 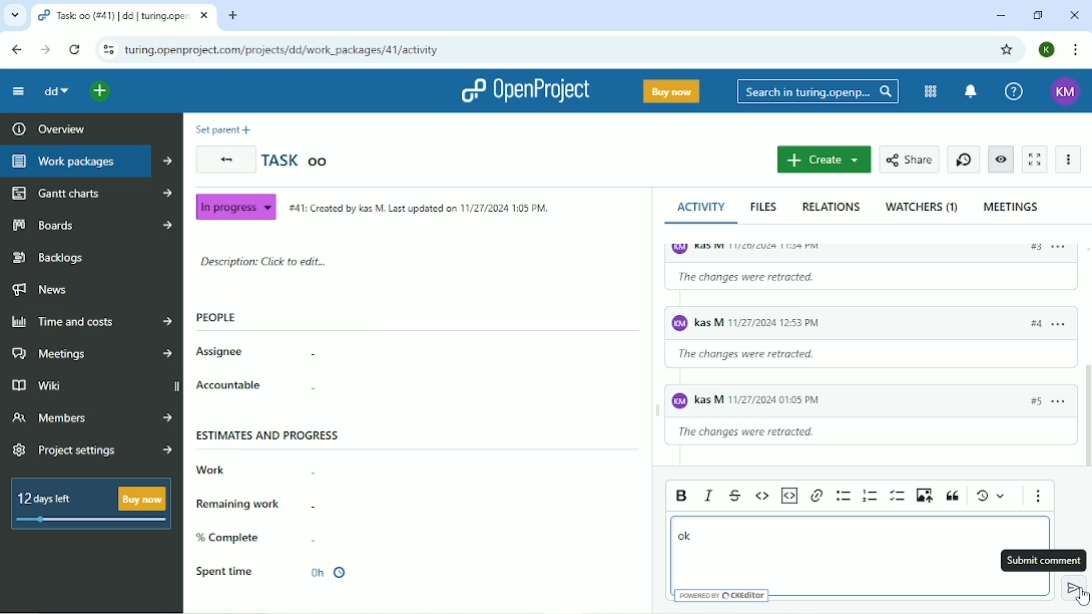 What do you see at coordinates (931, 92) in the screenshot?
I see `Modules` at bounding box center [931, 92].